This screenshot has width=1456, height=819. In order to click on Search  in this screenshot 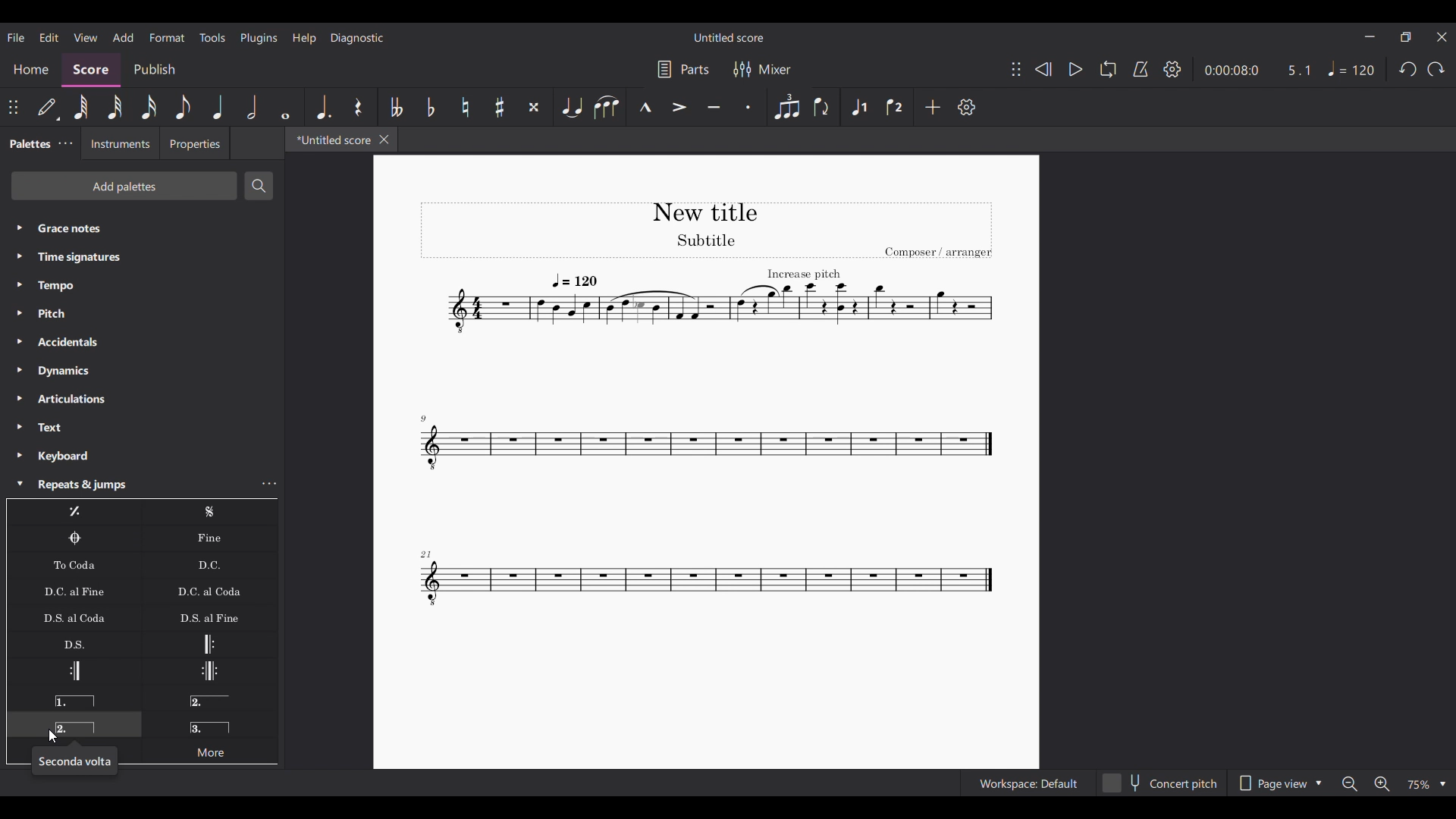, I will do `click(259, 186)`.